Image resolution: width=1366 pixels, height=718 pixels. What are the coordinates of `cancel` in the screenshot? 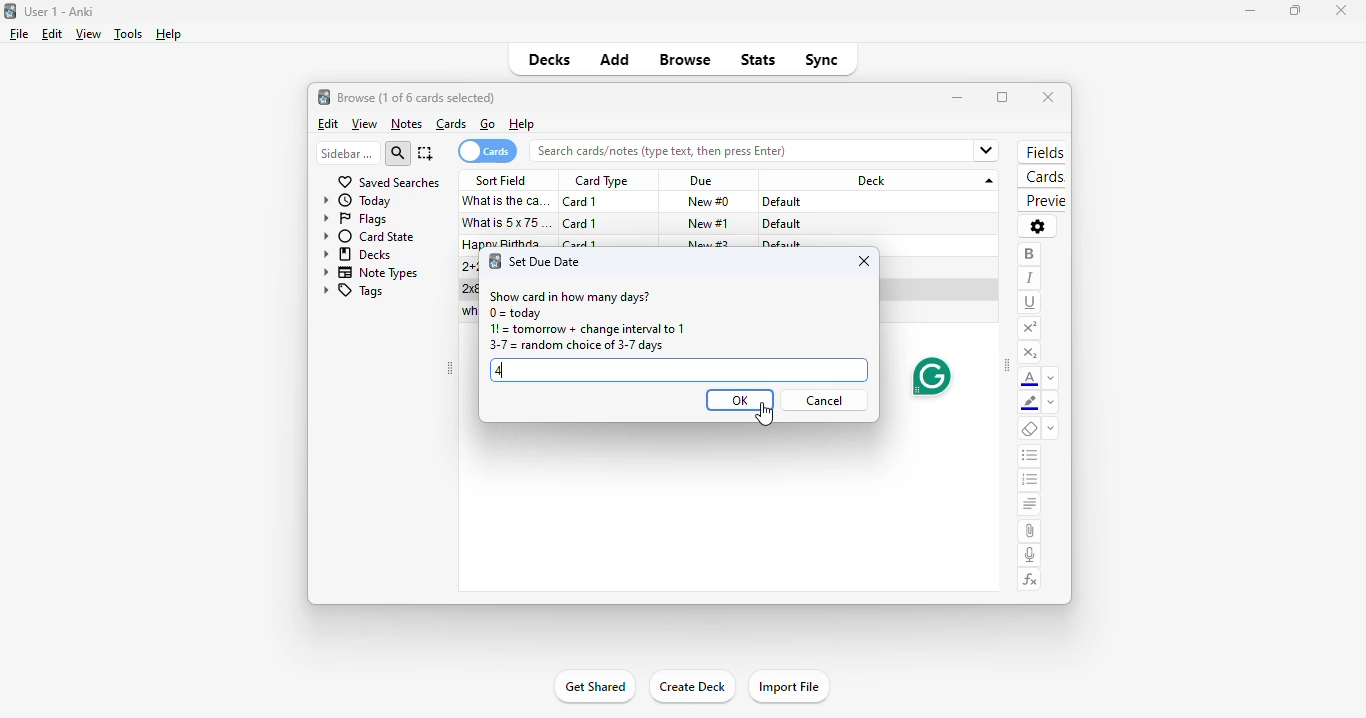 It's located at (828, 400).